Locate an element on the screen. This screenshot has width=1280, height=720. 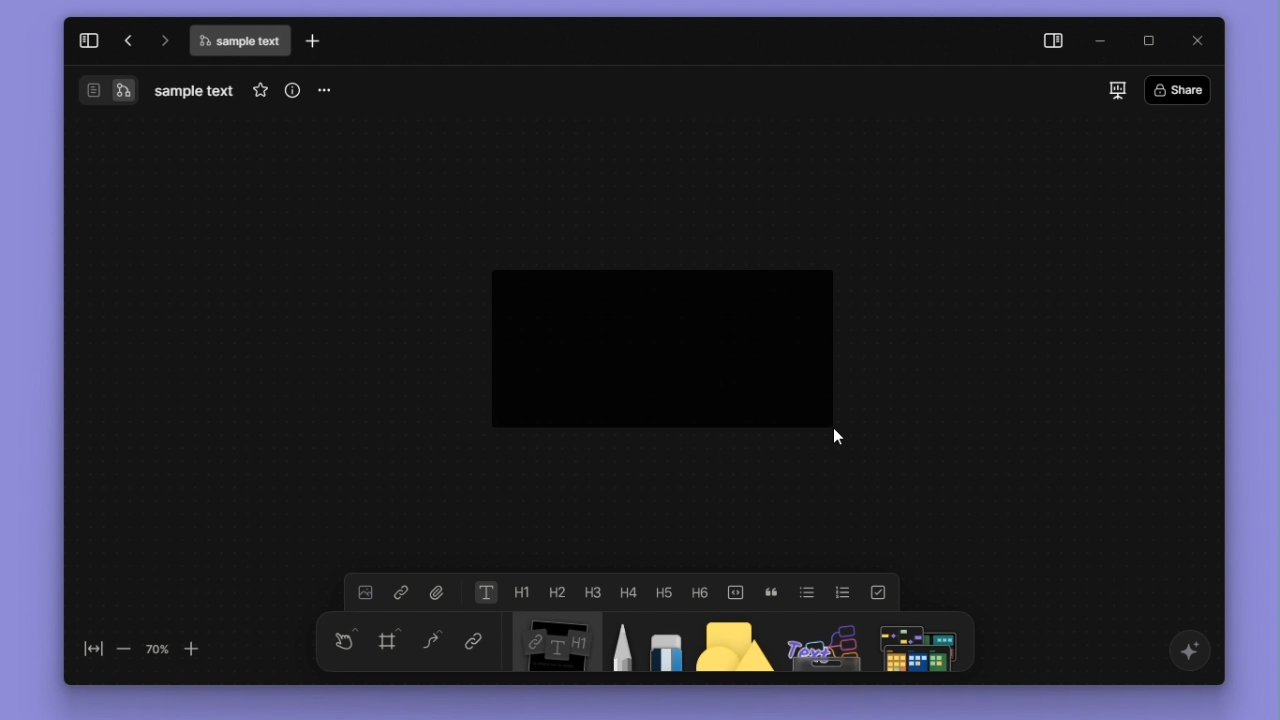
file name is located at coordinates (239, 43).